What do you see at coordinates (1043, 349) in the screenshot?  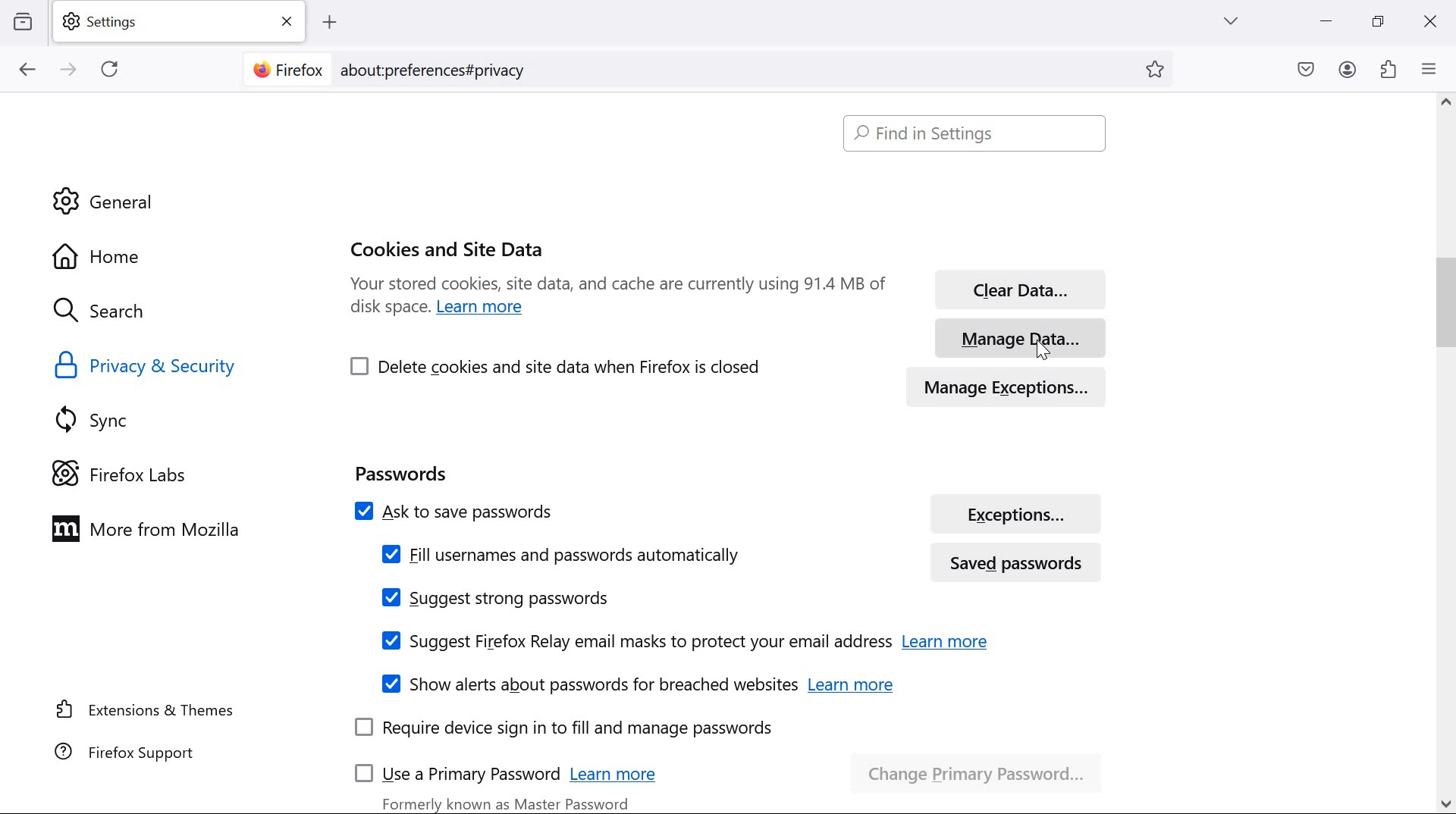 I see `cursor on manage cookies and site data` at bounding box center [1043, 349].